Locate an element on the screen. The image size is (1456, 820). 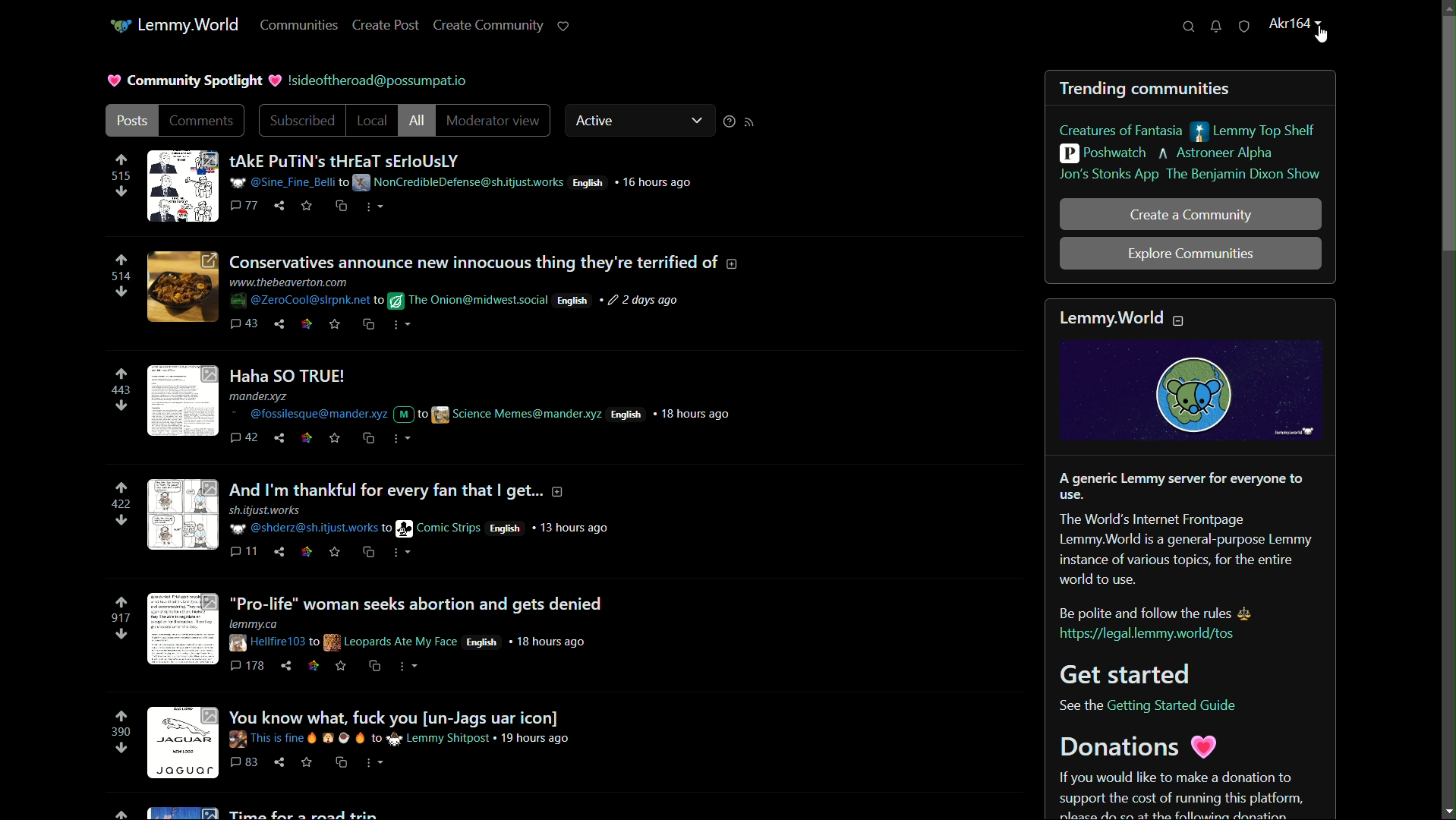
number of votes is located at coordinates (120, 506).